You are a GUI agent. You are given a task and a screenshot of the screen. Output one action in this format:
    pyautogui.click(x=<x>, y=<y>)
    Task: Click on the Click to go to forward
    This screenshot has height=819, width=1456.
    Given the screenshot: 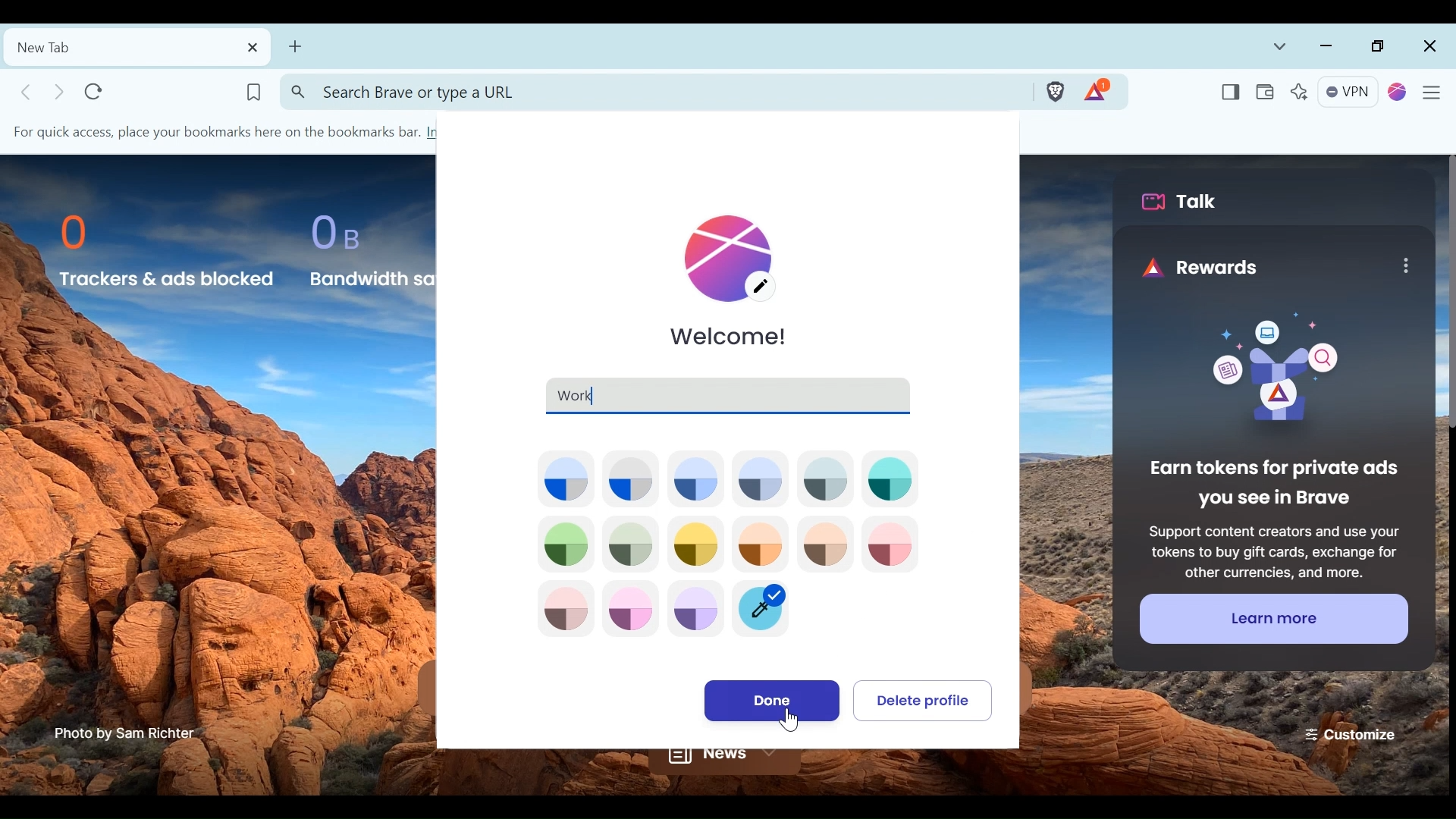 What is the action you would take?
    pyautogui.click(x=61, y=92)
    